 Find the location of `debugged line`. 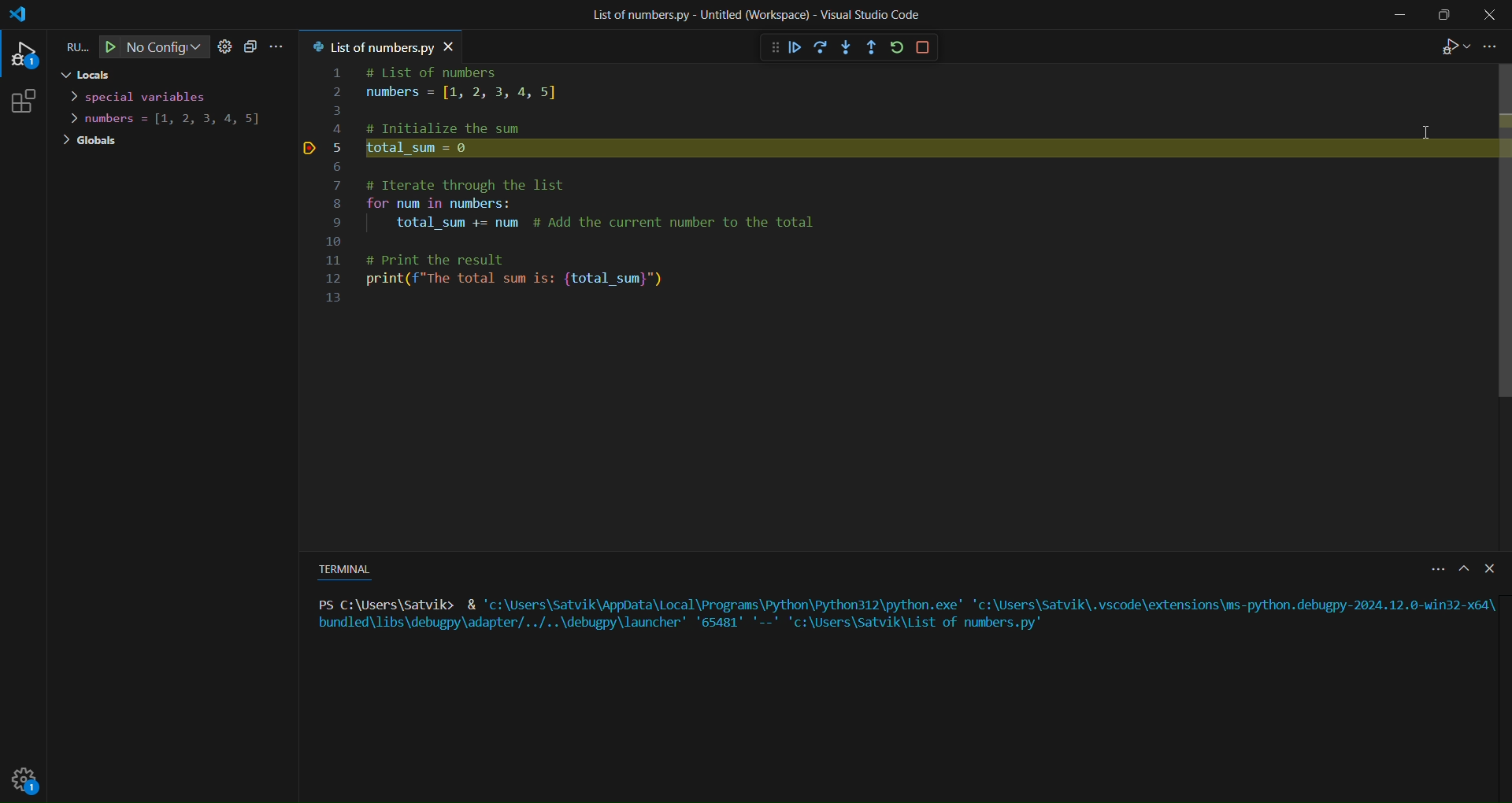

debugged line is located at coordinates (913, 149).